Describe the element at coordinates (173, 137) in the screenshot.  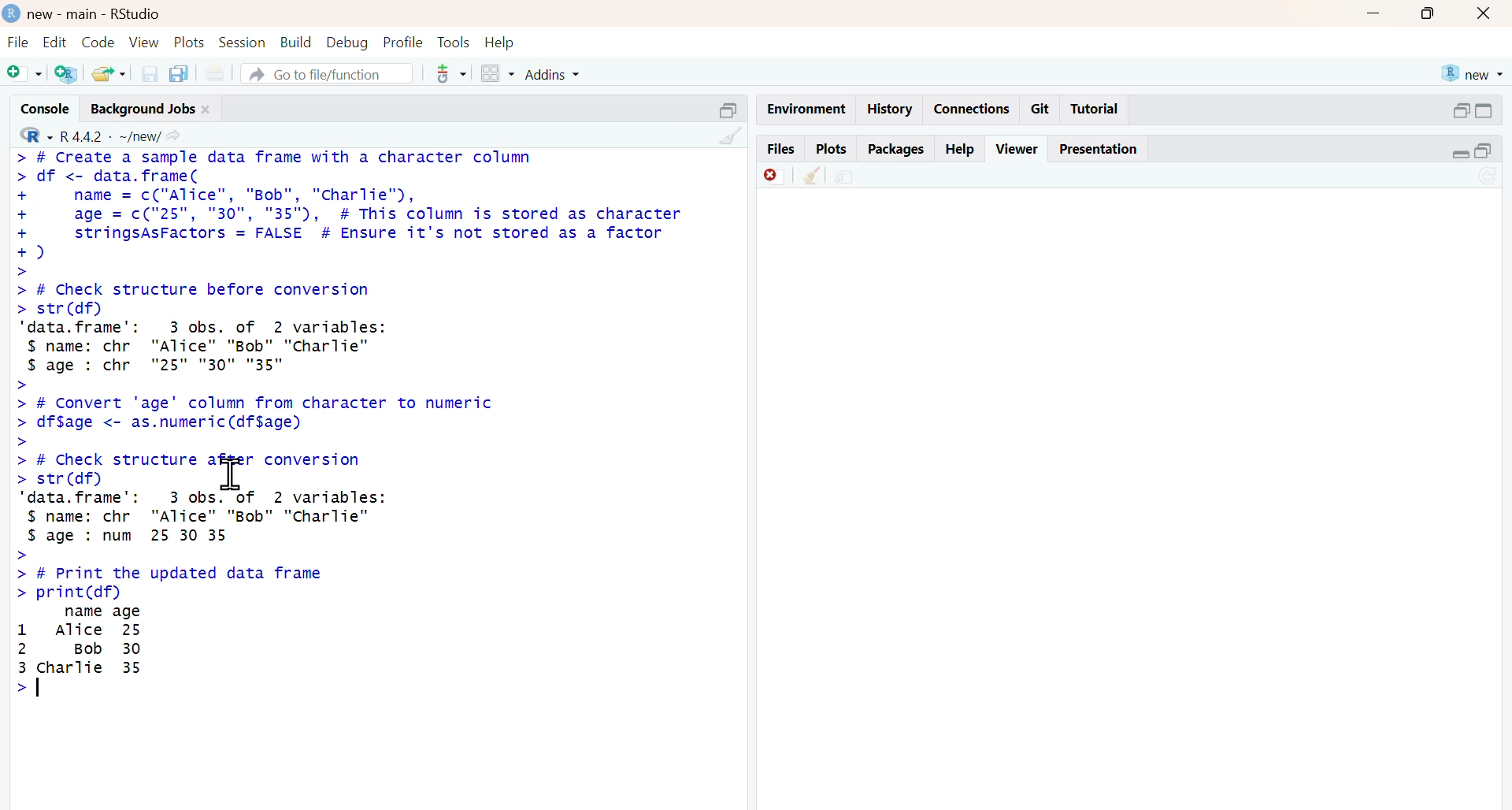
I see `share icon` at that location.